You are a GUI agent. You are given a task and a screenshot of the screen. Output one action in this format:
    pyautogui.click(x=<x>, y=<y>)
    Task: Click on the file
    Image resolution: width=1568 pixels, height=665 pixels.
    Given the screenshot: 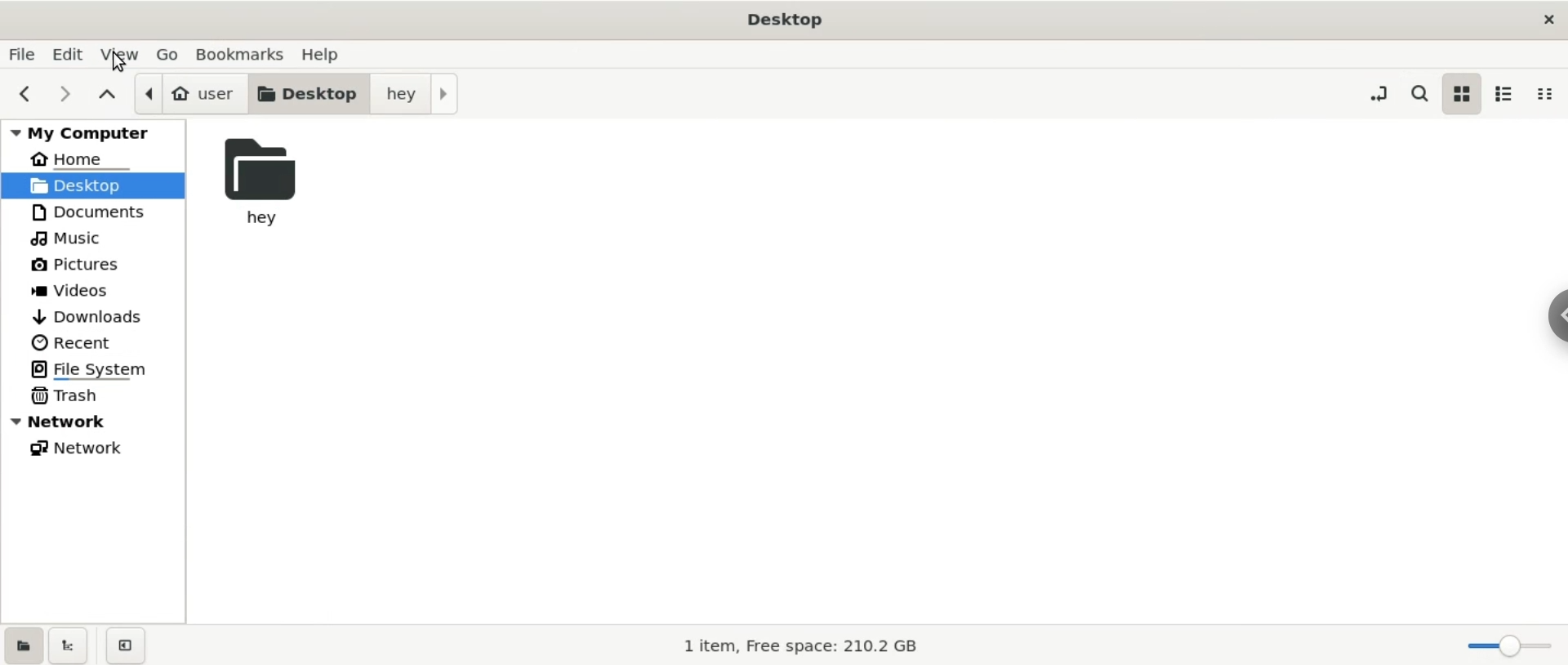 What is the action you would take?
    pyautogui.click(x=25, y=55)
    